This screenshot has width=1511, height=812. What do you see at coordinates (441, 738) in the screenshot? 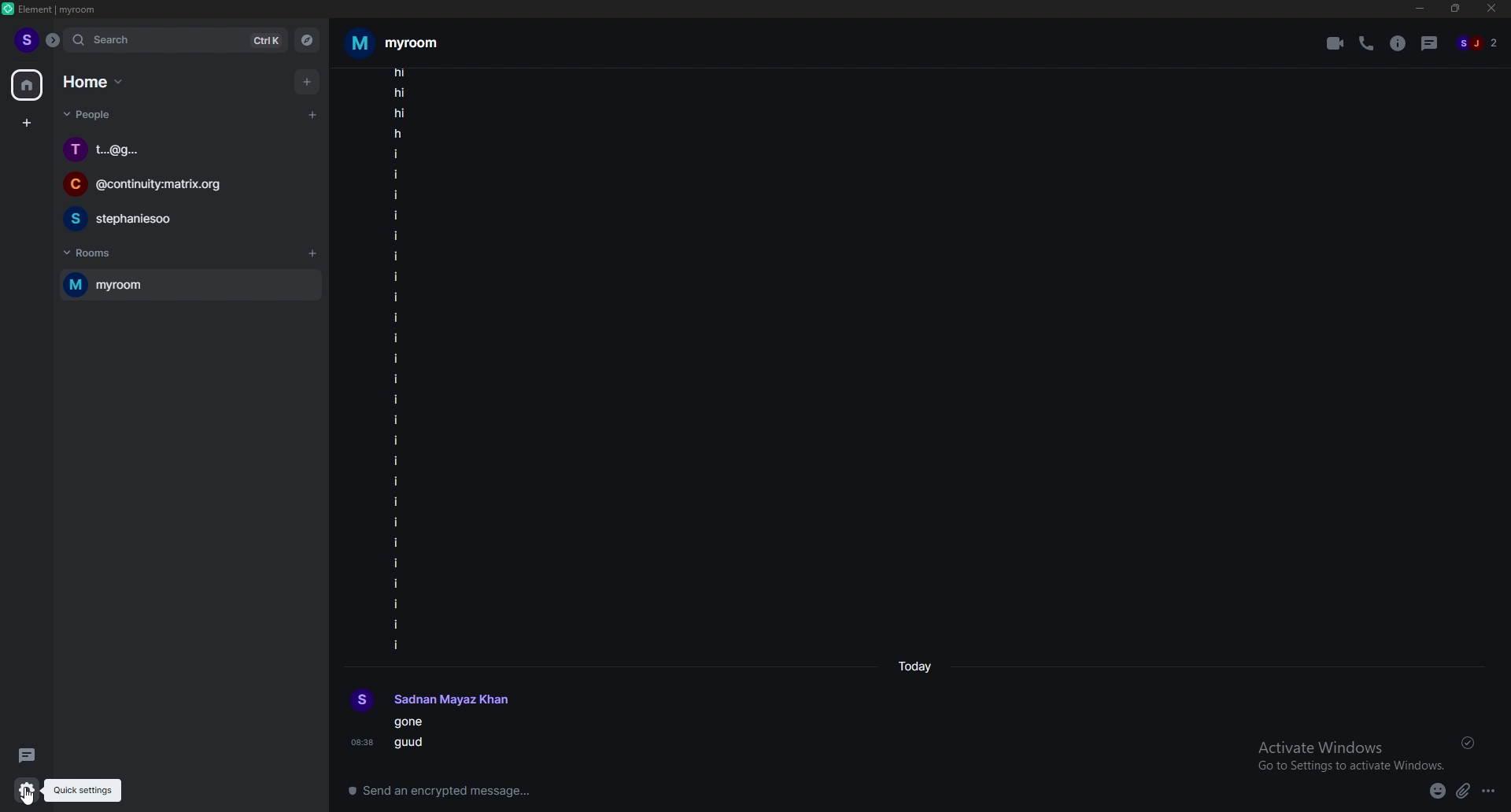
I see `text` at bounding box center [441, 738].